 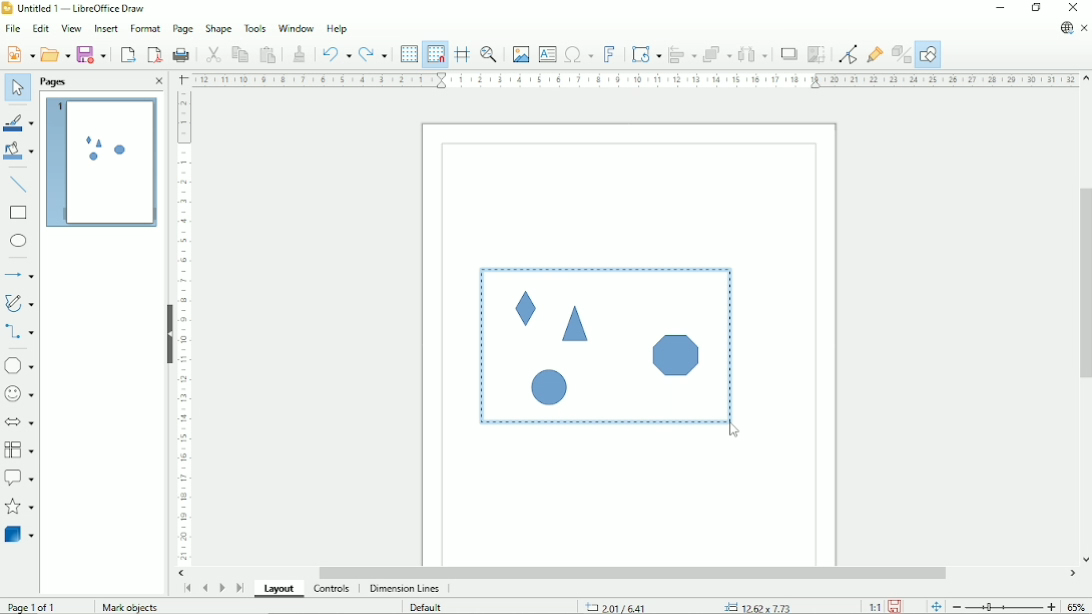 What do you see at coordinates (1085, 77) in the screenshot?
I see `Vertical scroll button` at bounding box center [1085, 77].